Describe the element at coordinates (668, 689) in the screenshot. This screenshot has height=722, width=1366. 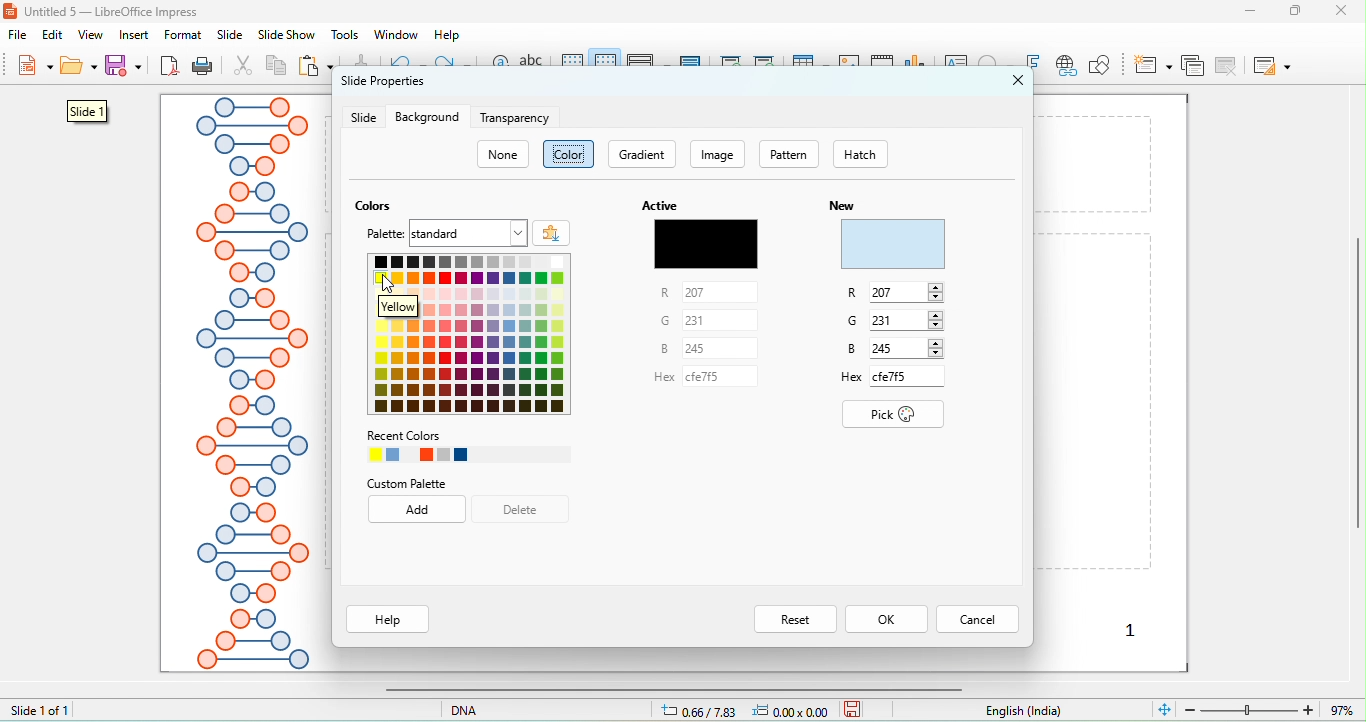
I see `horizontal scroll bar` at that location.